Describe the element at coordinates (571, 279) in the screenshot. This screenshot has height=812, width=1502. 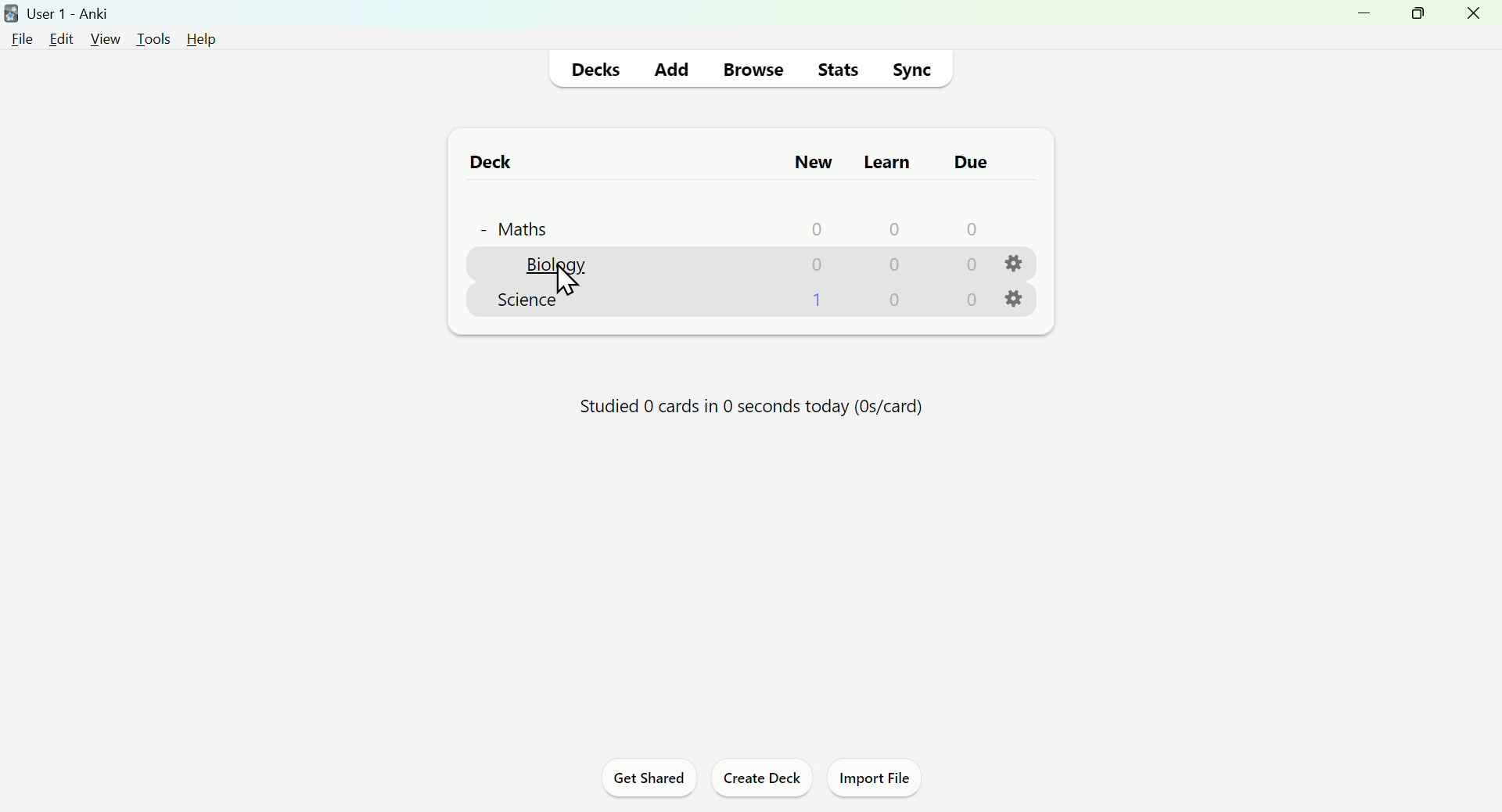
I see `Cursor` at that location.